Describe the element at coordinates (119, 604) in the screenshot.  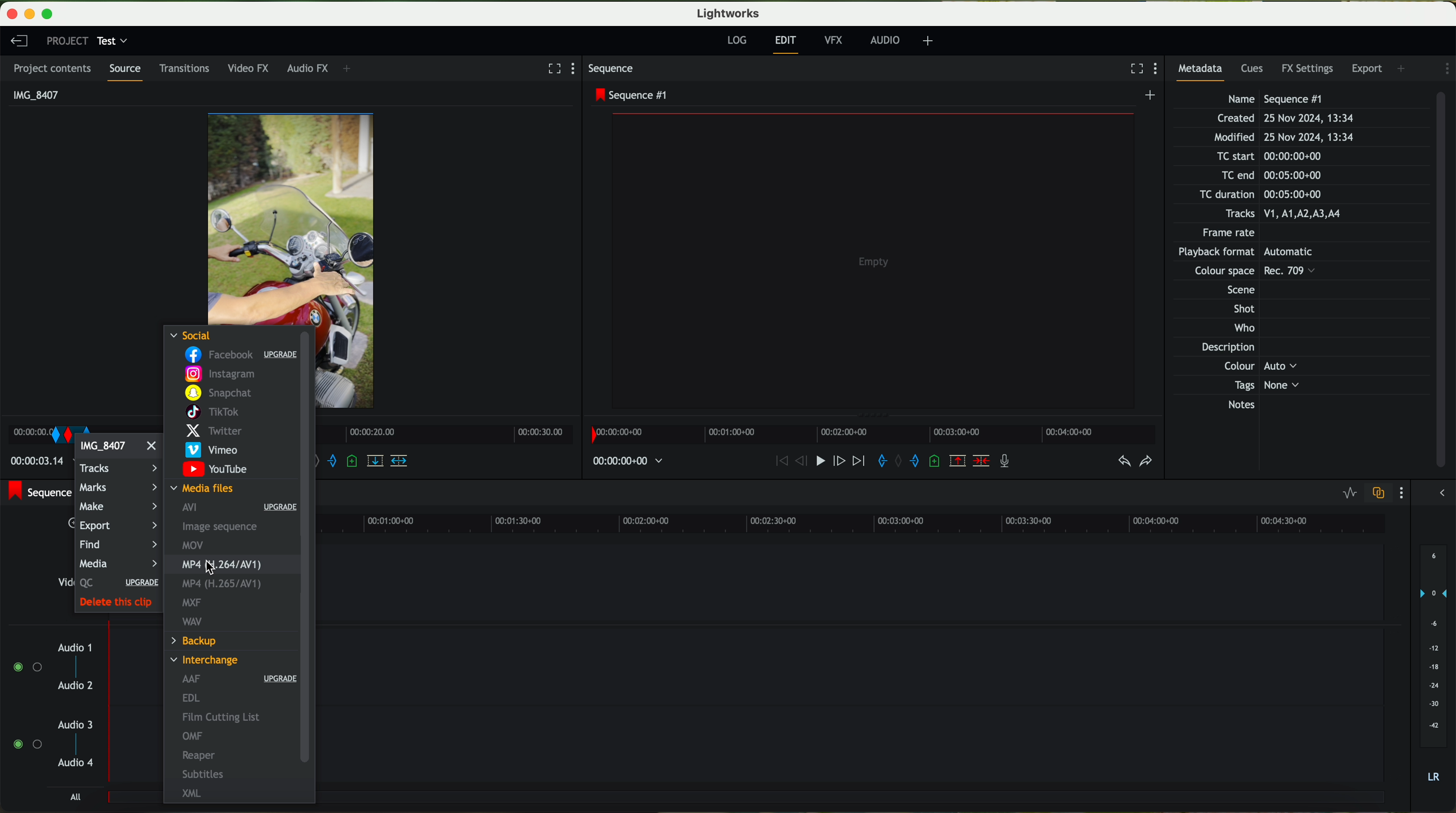
I see `delete this clip` at that location.